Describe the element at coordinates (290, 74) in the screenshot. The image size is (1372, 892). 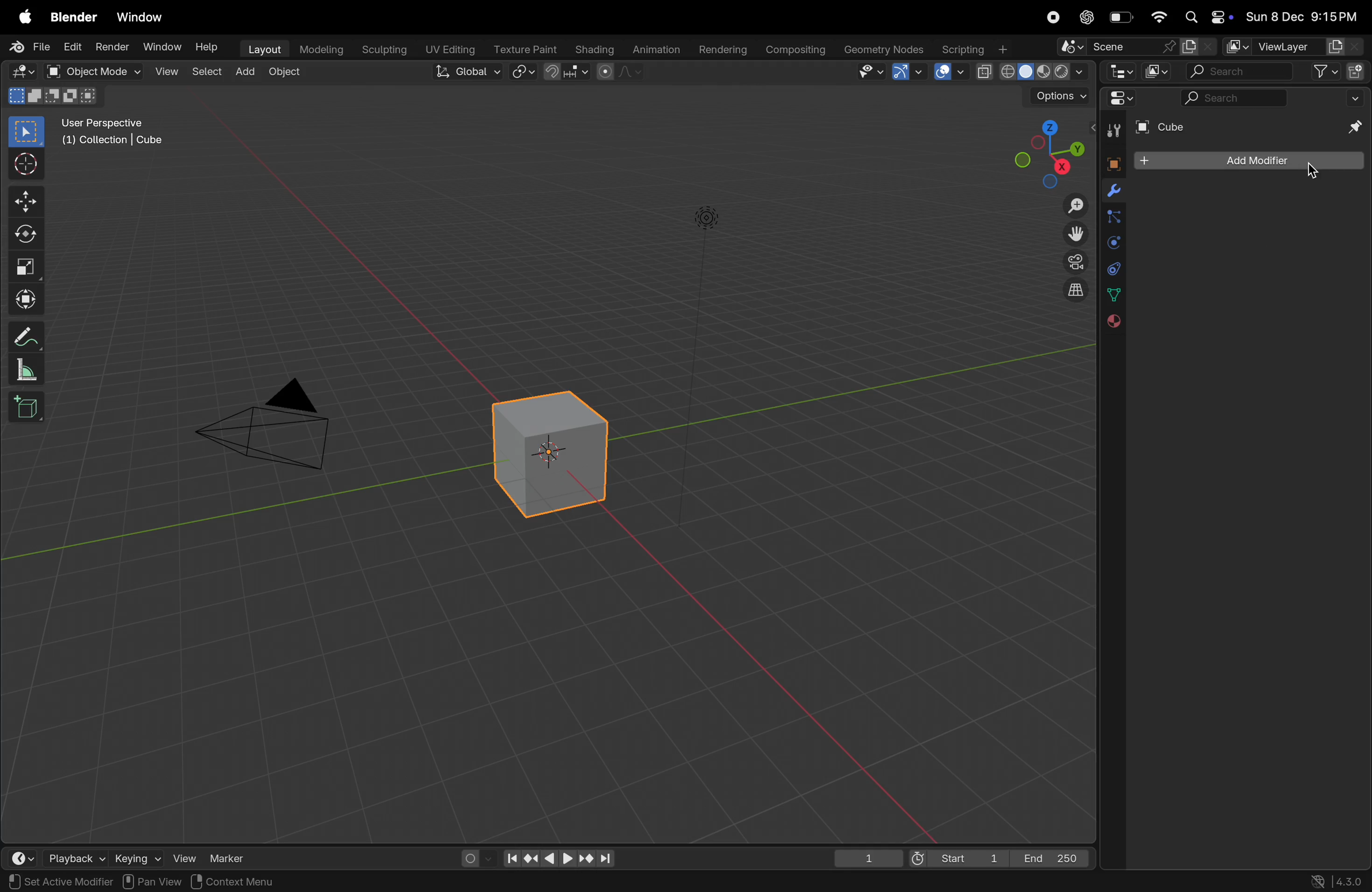
I see `object` at that location.